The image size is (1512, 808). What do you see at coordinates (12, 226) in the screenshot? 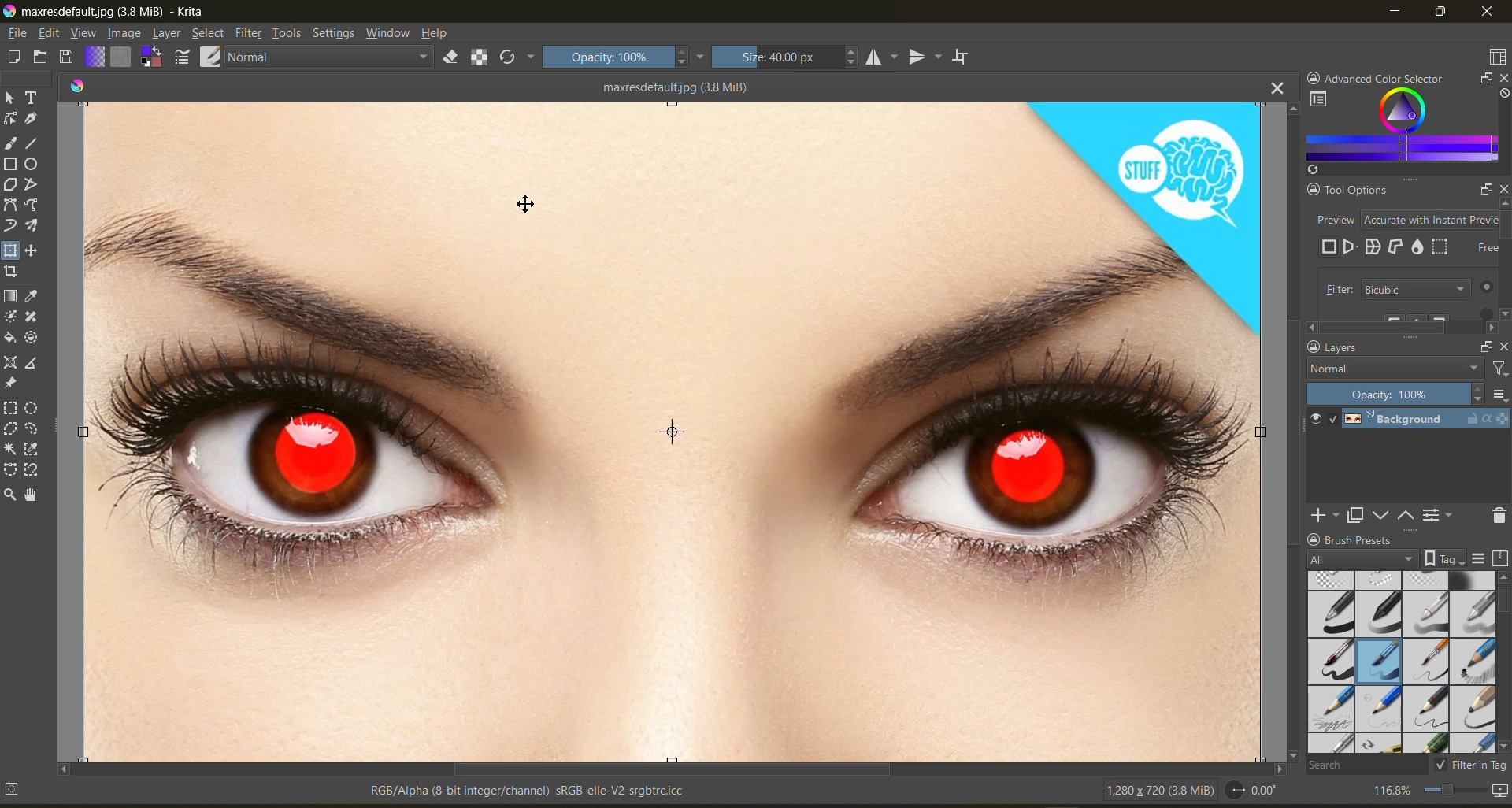
I see `tool` at bounding box center [12, 226].